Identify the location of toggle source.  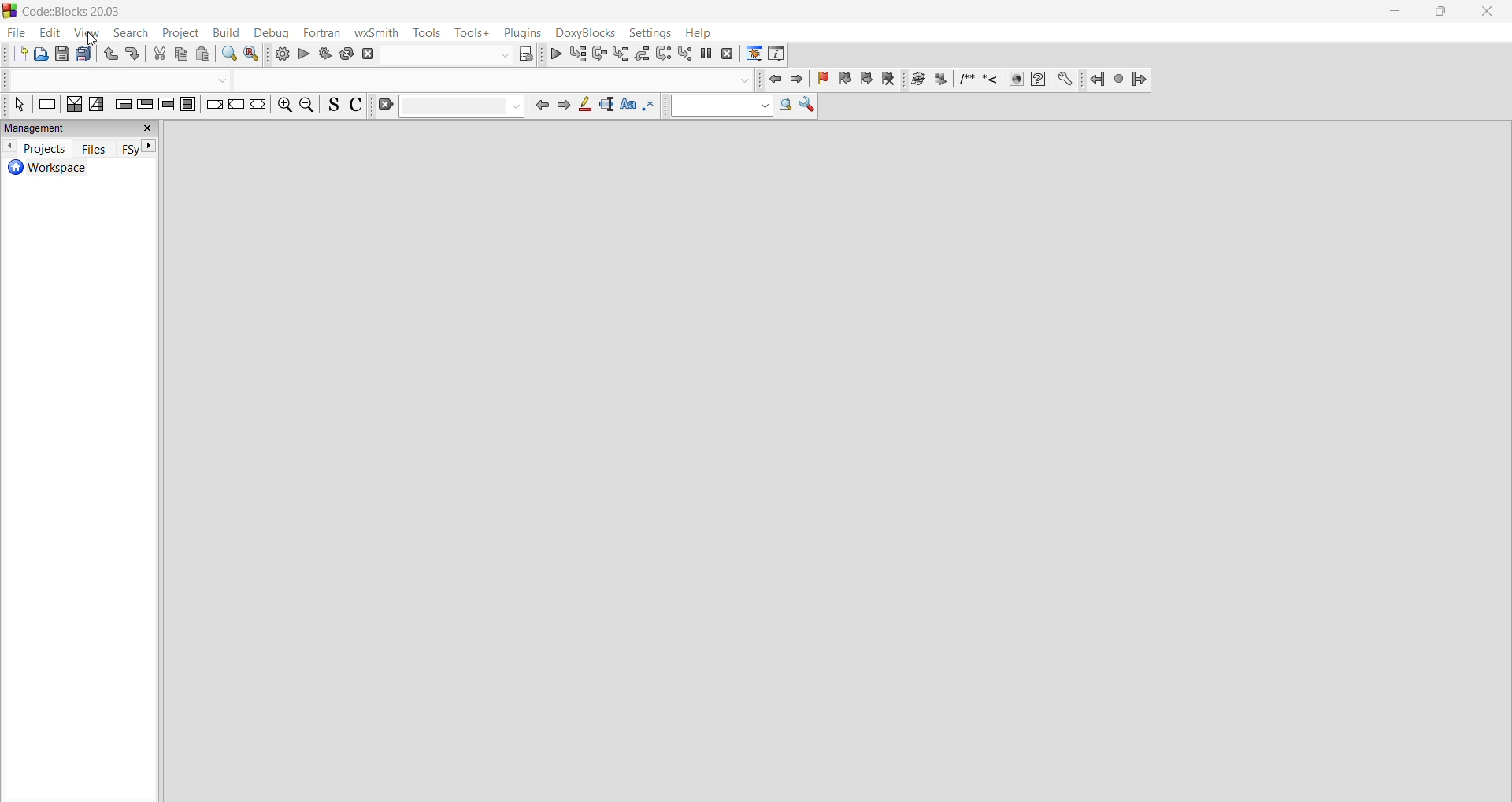
(335, 106).